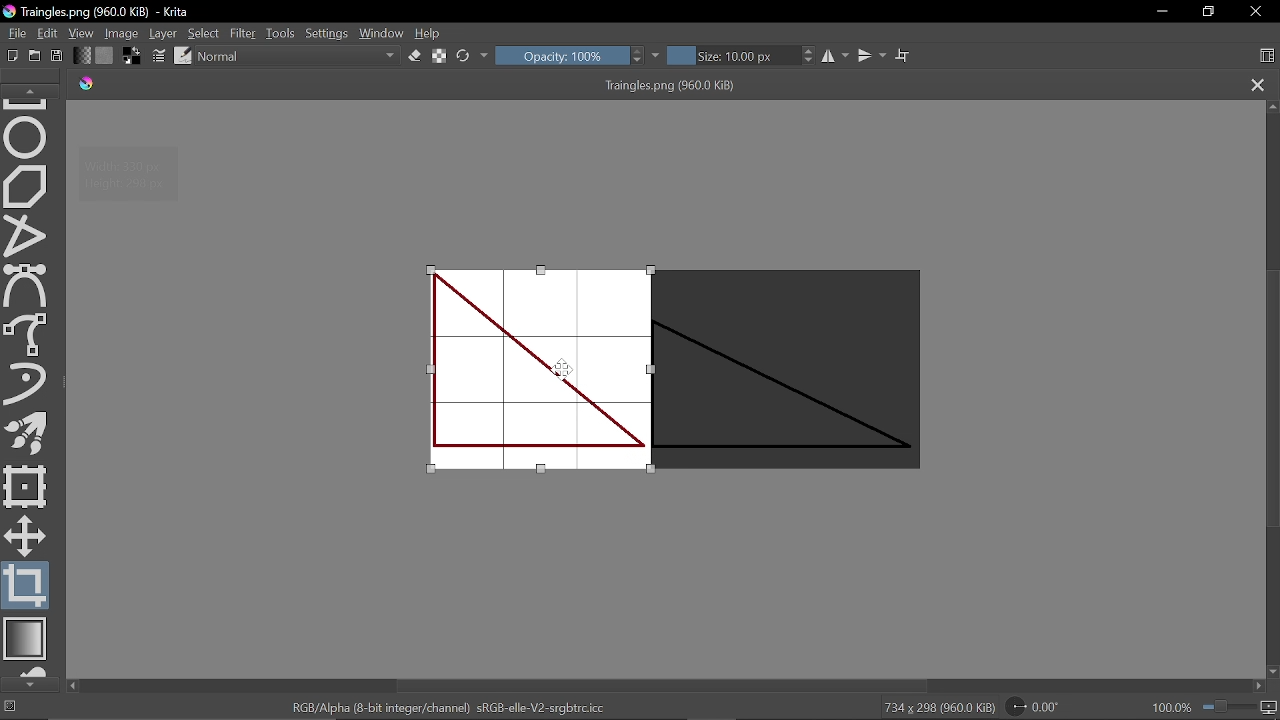 The height and width of the screenshot is (720, 1280). What do you see at coordinates (123, 32) in the screenshot?
I see `Image` at bounding box center [123, 32].